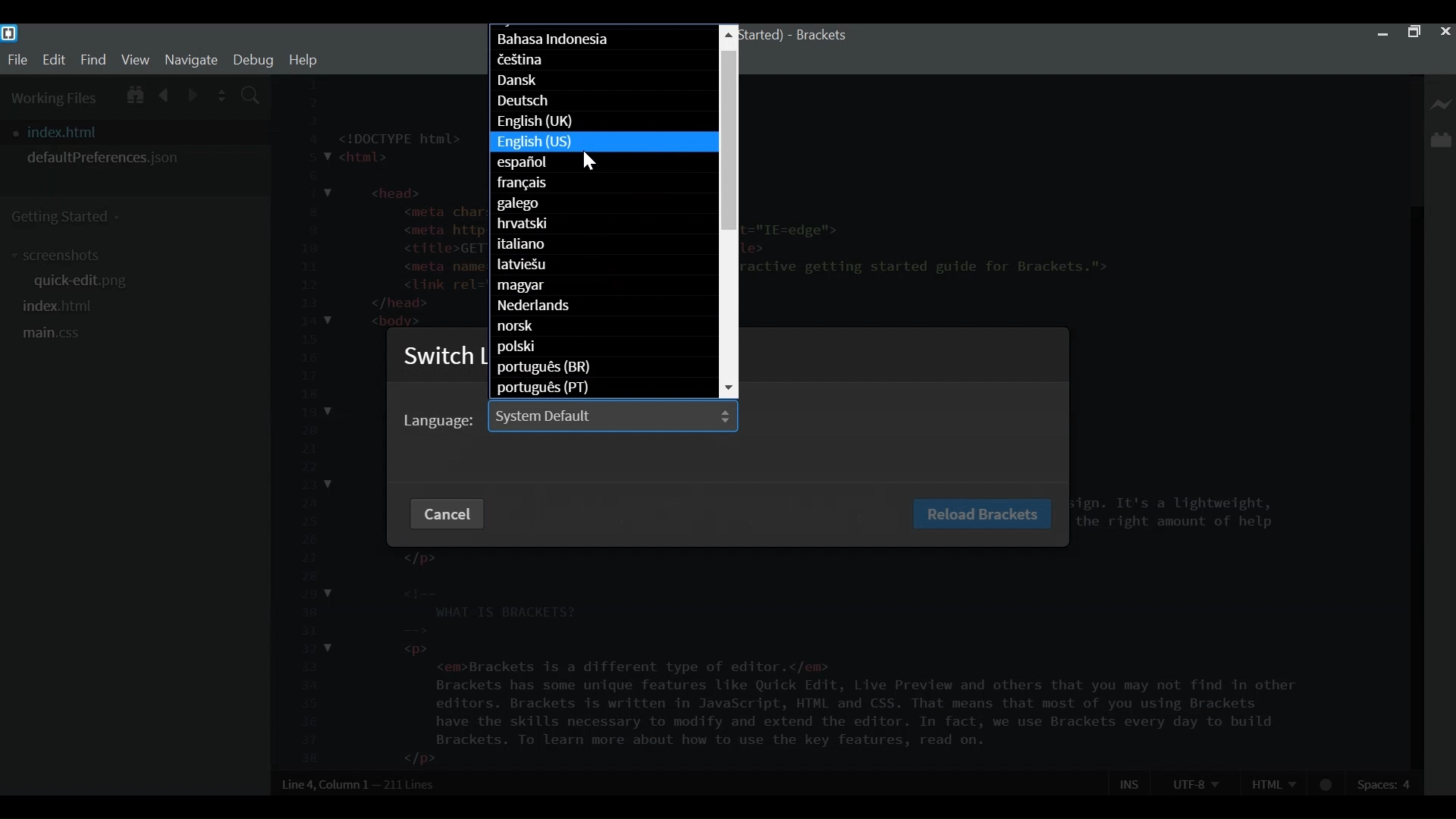  I want to click on line number, so click(306, 422).